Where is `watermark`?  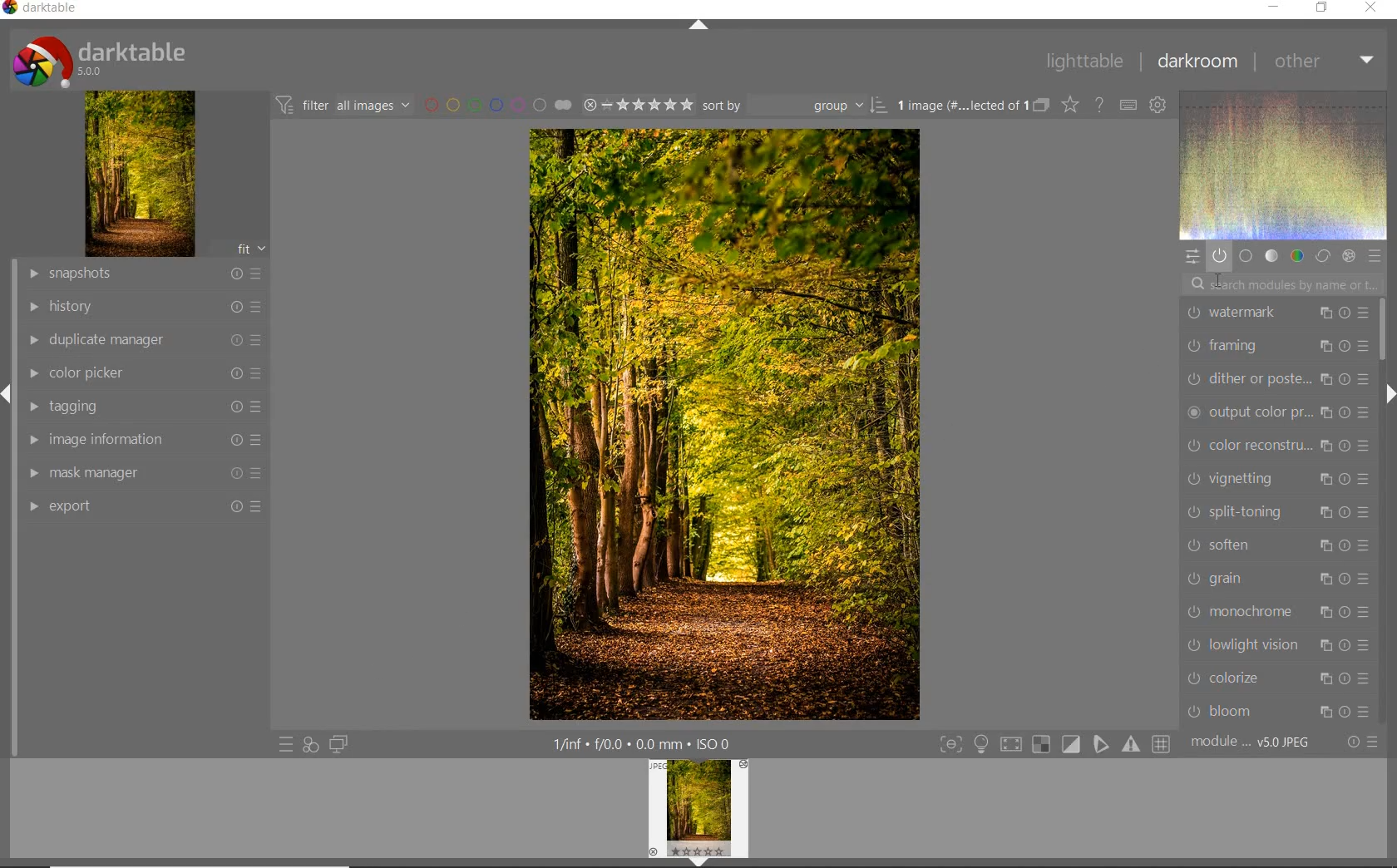 watermark is located at coordinates (1276, 313).